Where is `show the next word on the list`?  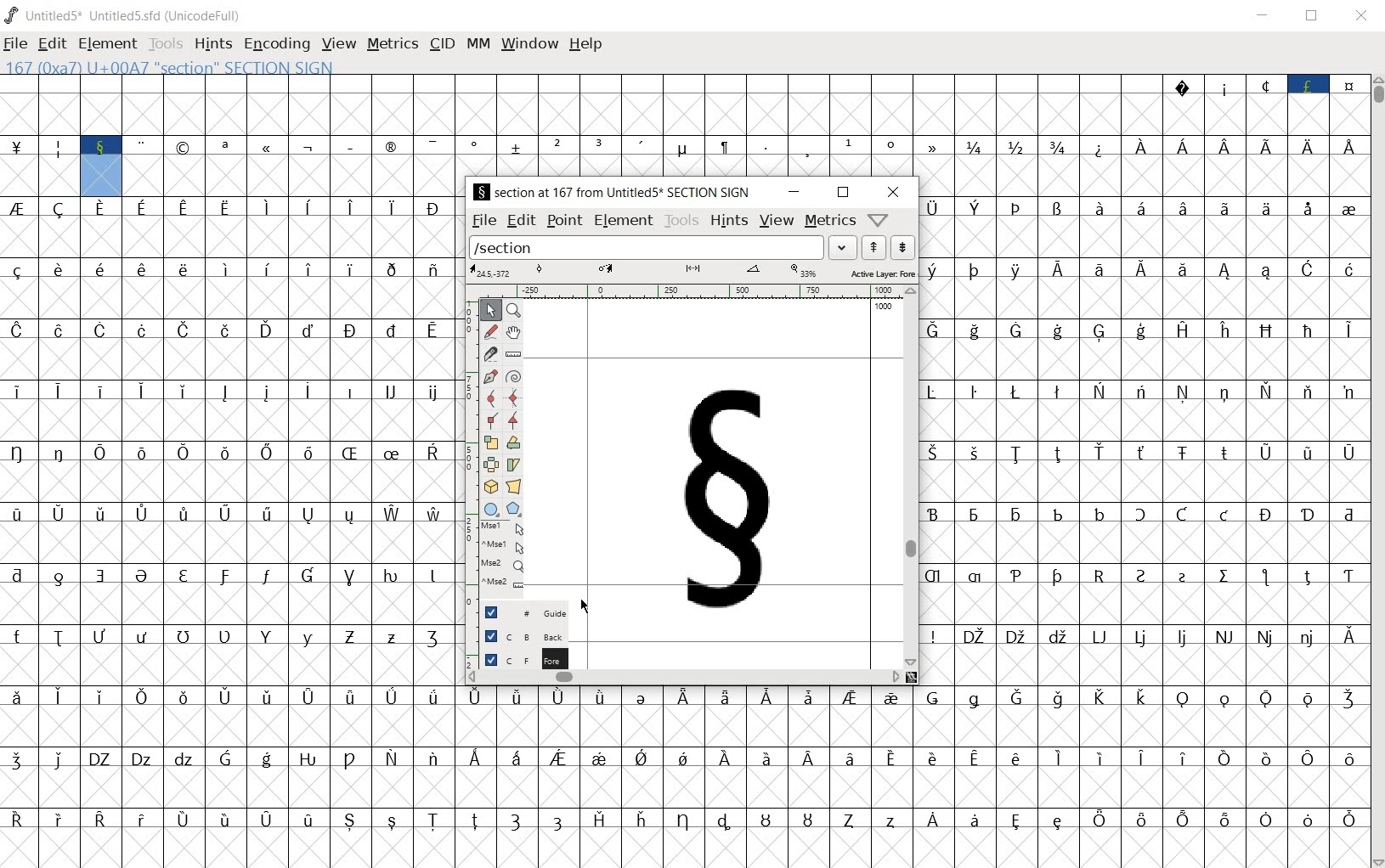 show the next word on the list is located at coordinates (874, 247).